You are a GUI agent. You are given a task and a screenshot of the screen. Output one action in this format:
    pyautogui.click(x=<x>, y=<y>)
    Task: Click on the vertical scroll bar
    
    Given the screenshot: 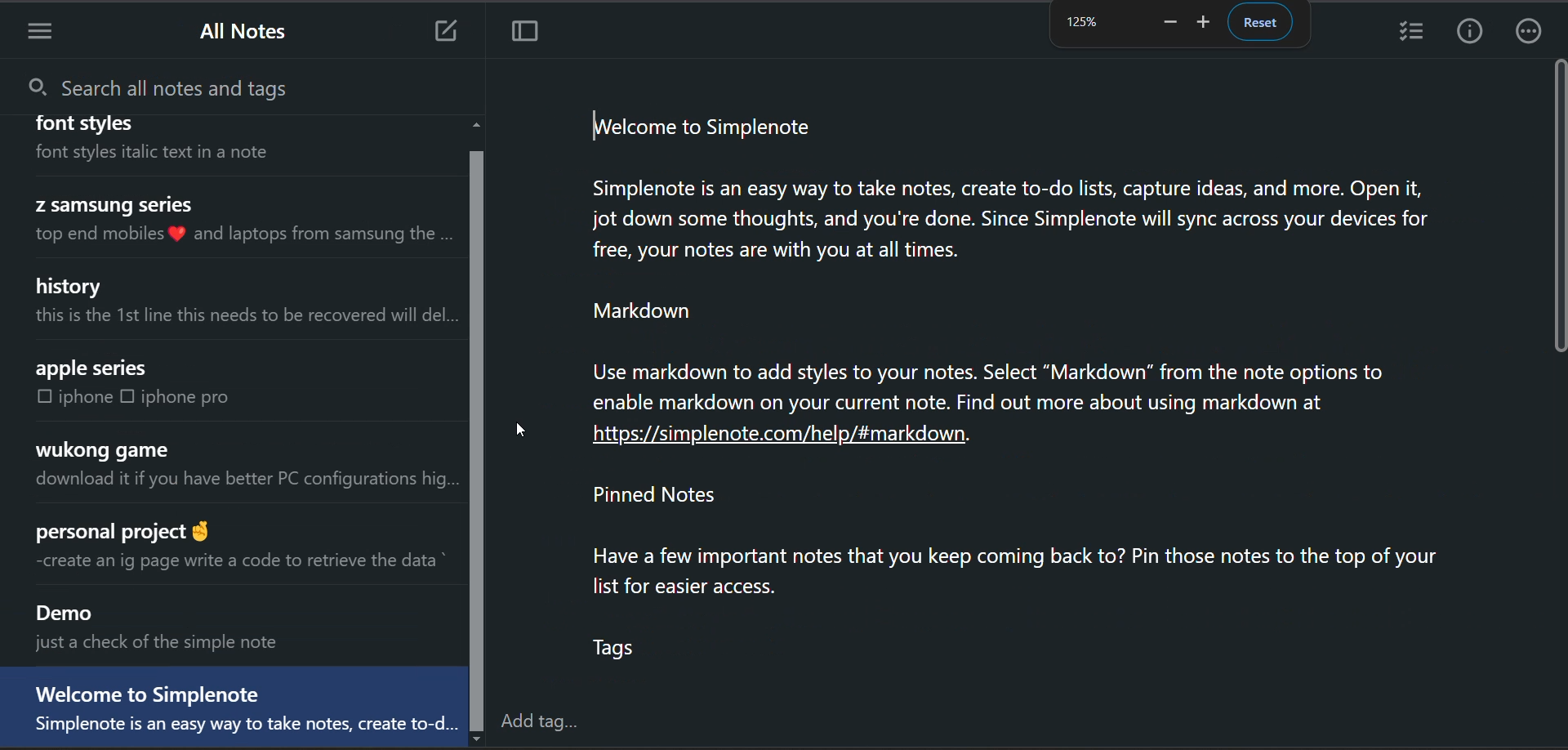 What is the action you would take?
    pyautogui.click(x=1558, y=203)
    